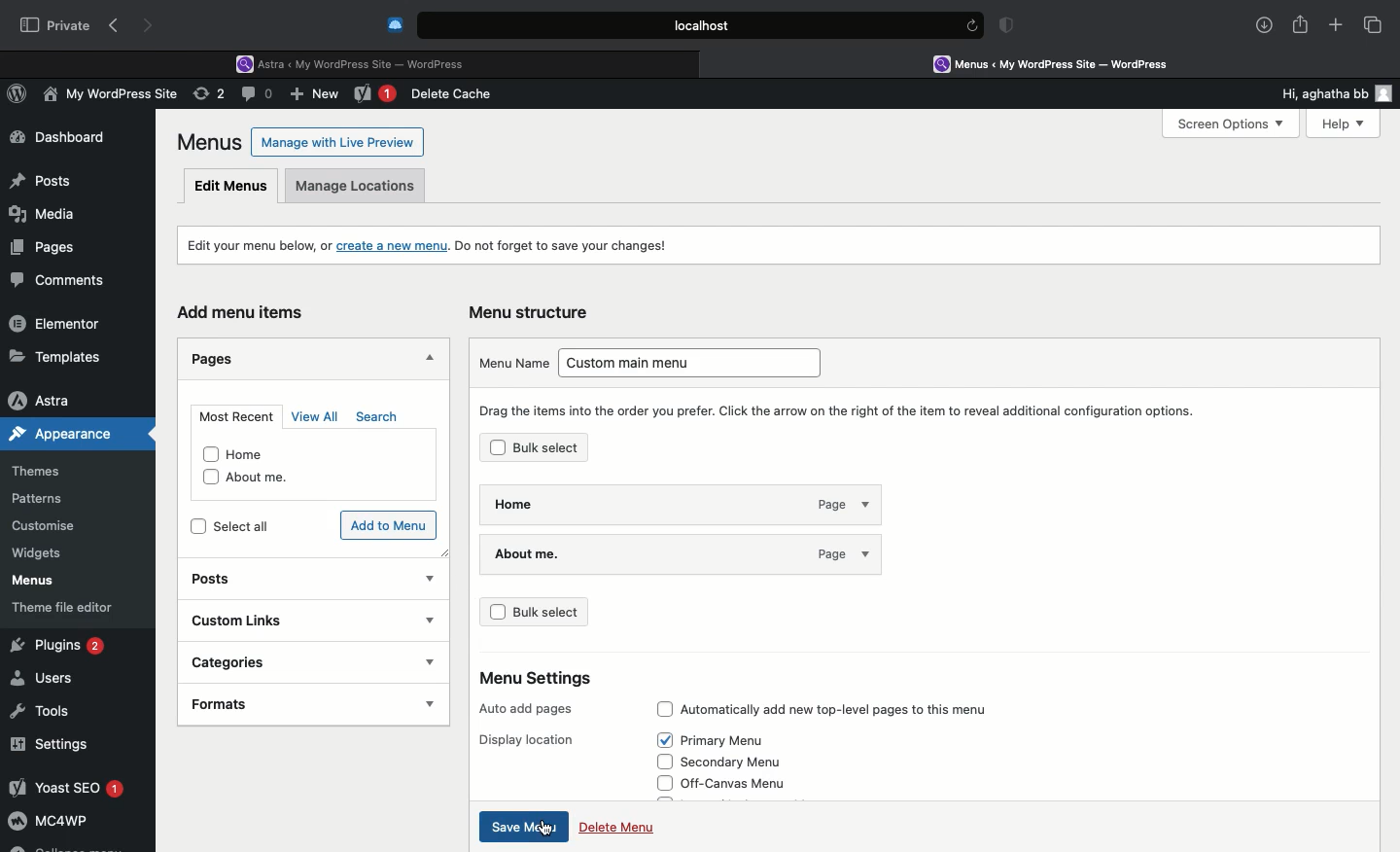  Describe the element at coordinates (39, 553) in the screenshot. I see `Widgets` at that location.